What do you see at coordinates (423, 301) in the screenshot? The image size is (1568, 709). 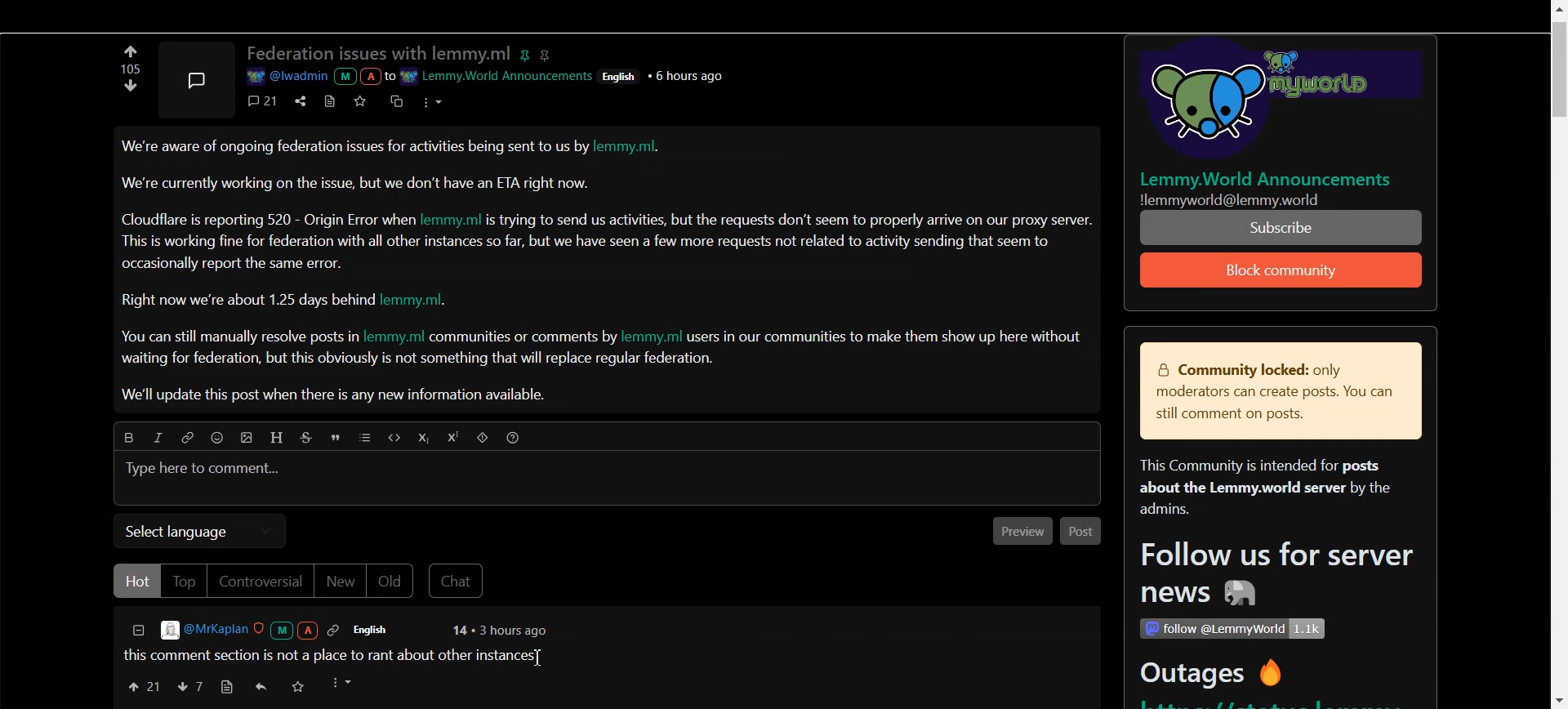 I see `lemmy.ml.` at bounding box center [423, 301].